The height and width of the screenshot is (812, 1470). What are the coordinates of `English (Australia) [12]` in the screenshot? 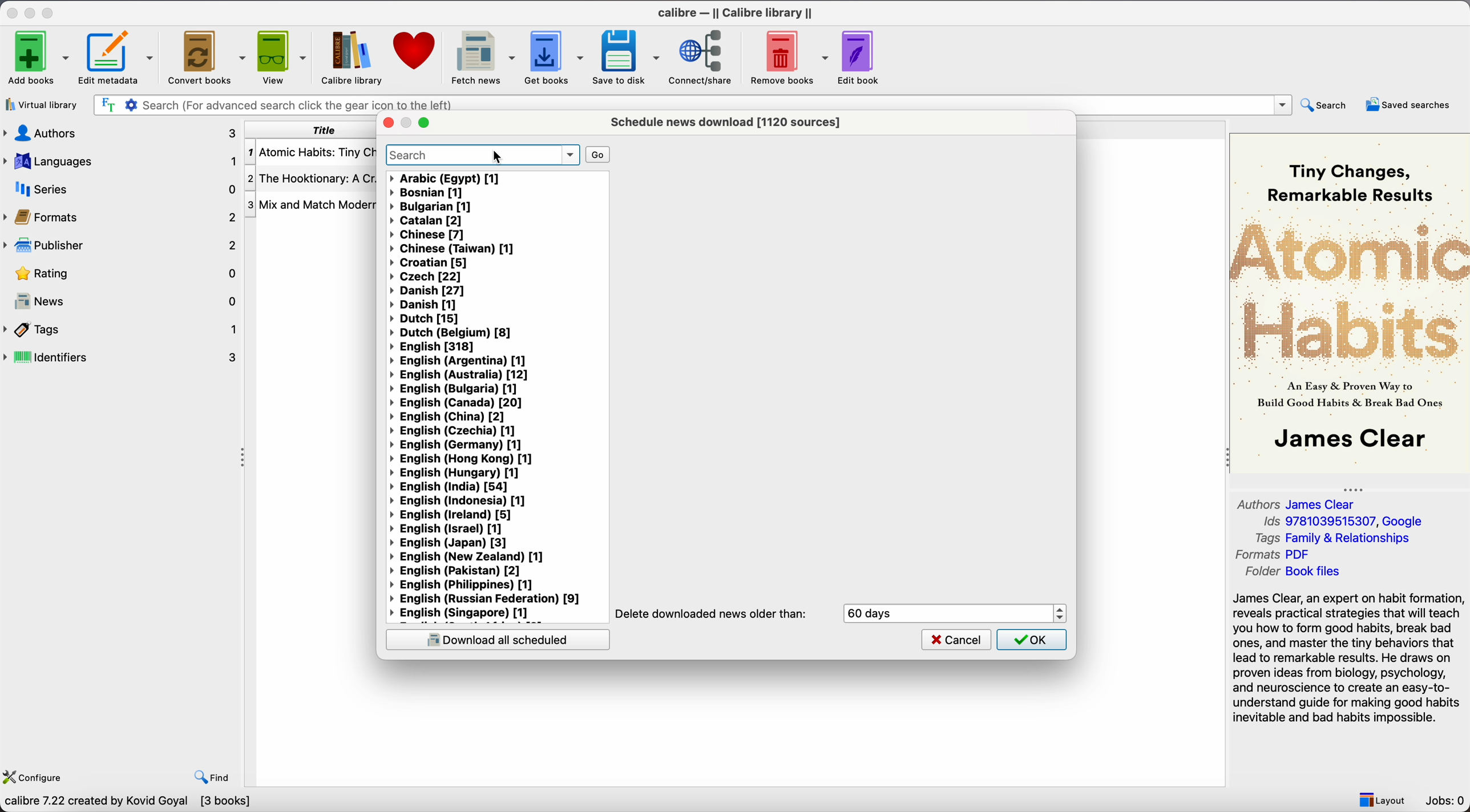 It's located at (458, 374).